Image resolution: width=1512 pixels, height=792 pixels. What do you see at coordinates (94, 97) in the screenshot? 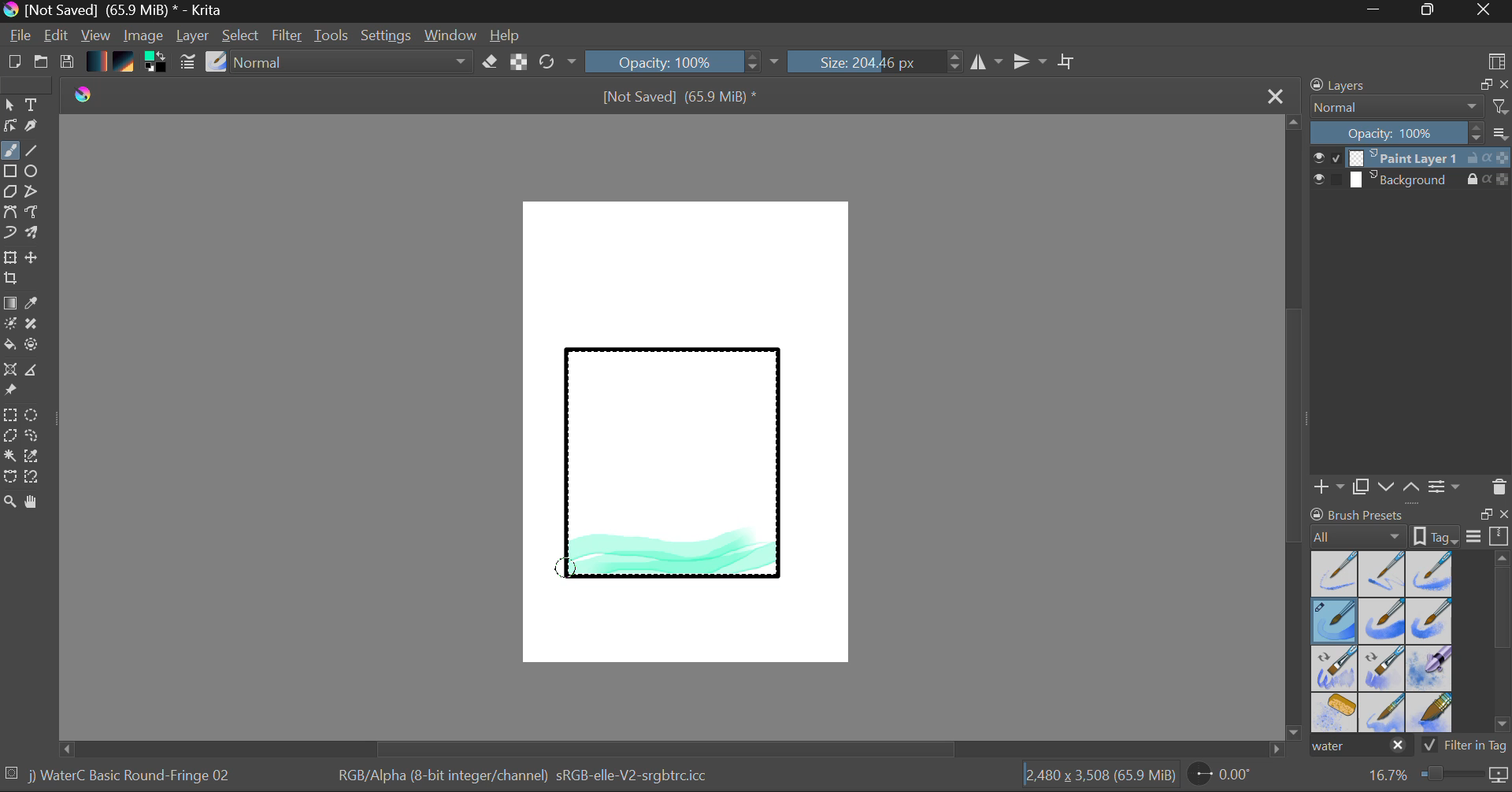
I see `logo` at bounding box center [94, 97].